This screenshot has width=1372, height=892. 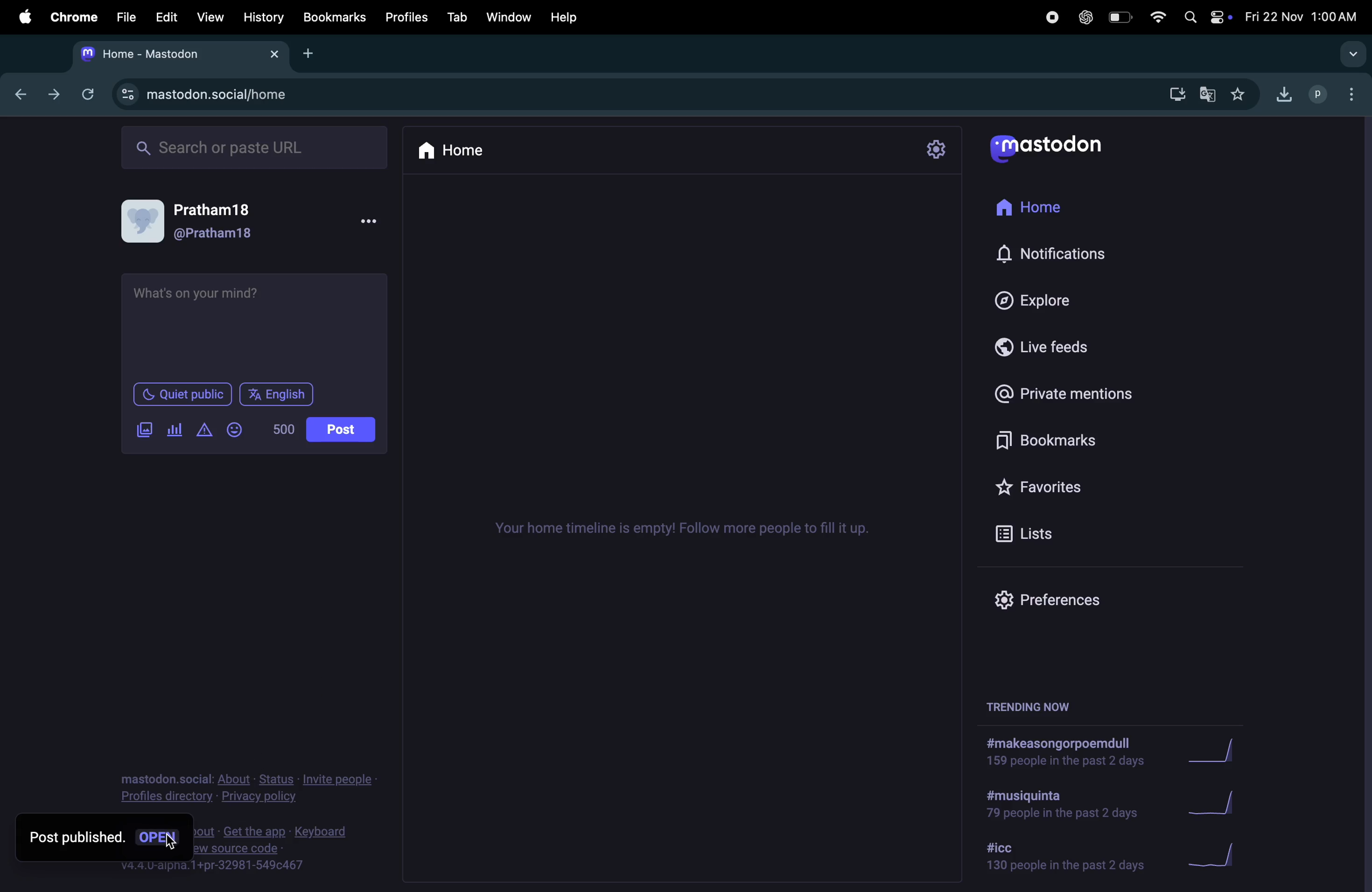 I want to click on spotlight search, so click(x=1188, y=17).